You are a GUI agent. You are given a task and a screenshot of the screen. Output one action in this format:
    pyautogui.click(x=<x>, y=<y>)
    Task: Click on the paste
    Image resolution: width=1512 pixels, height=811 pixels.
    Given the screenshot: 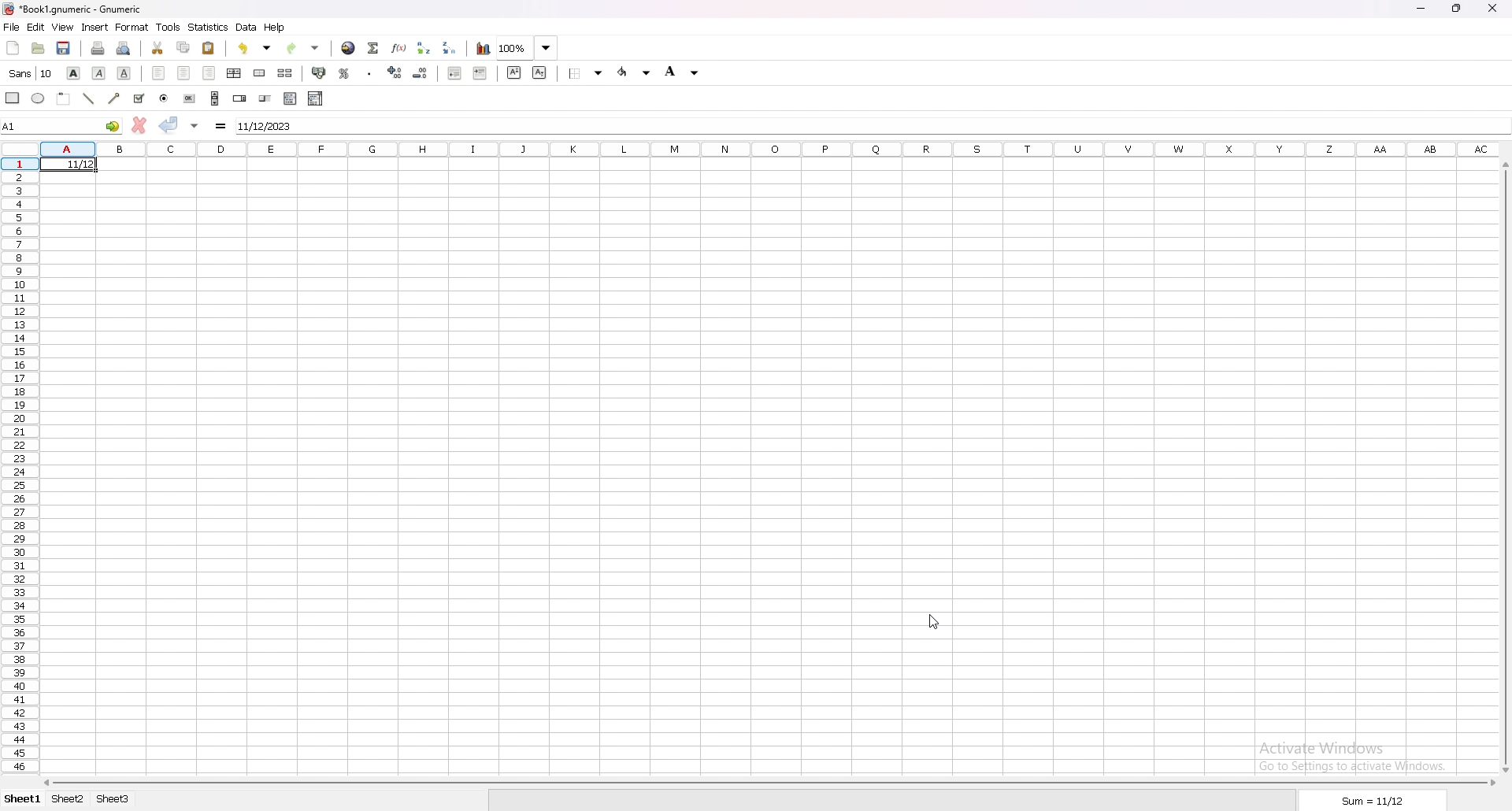 What is the action you would take?
    pyautogui.click(x=207, y=49)
    